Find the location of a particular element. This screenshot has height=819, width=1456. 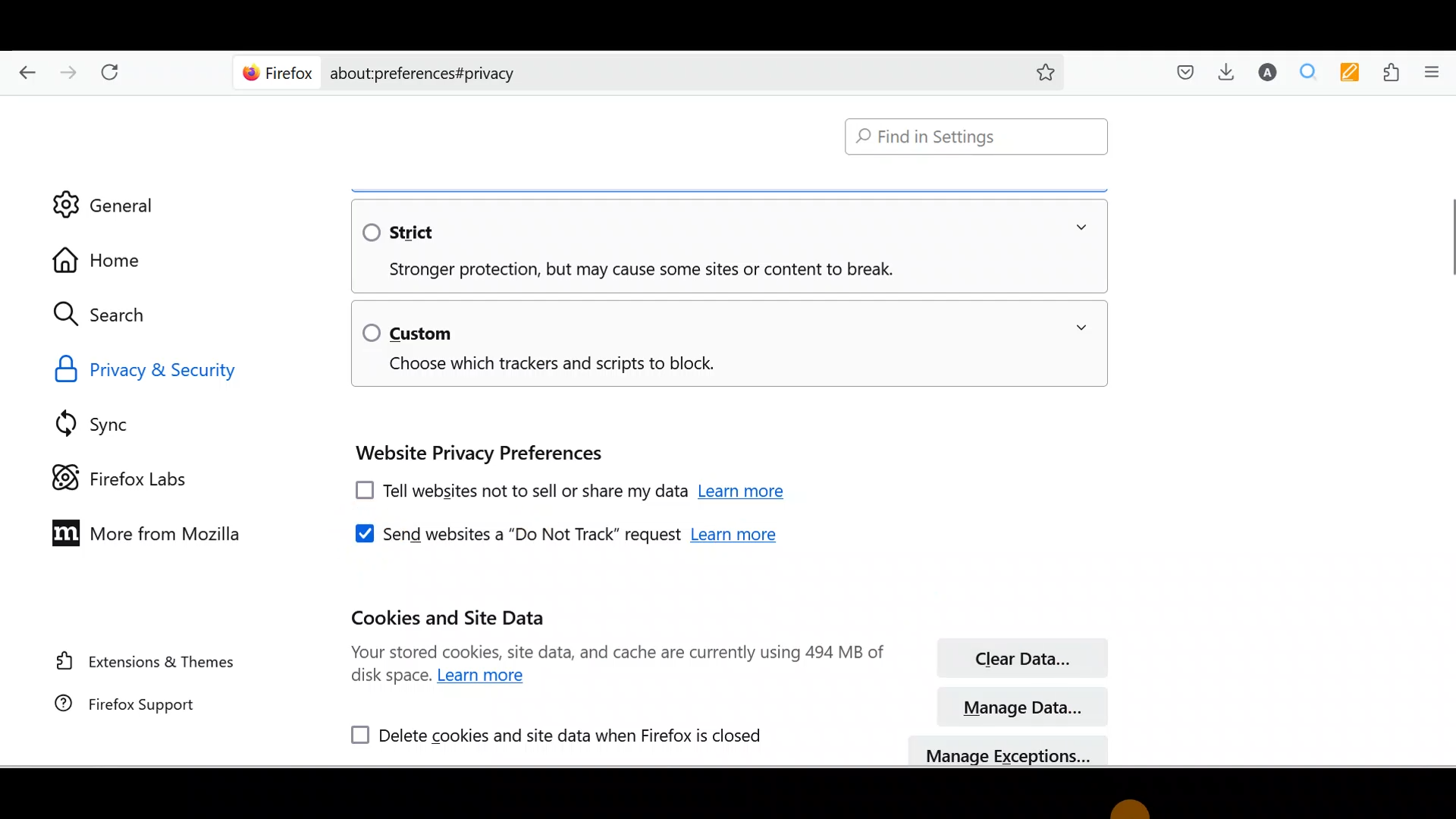

Firefox labs is located at coordinates (117, 476).